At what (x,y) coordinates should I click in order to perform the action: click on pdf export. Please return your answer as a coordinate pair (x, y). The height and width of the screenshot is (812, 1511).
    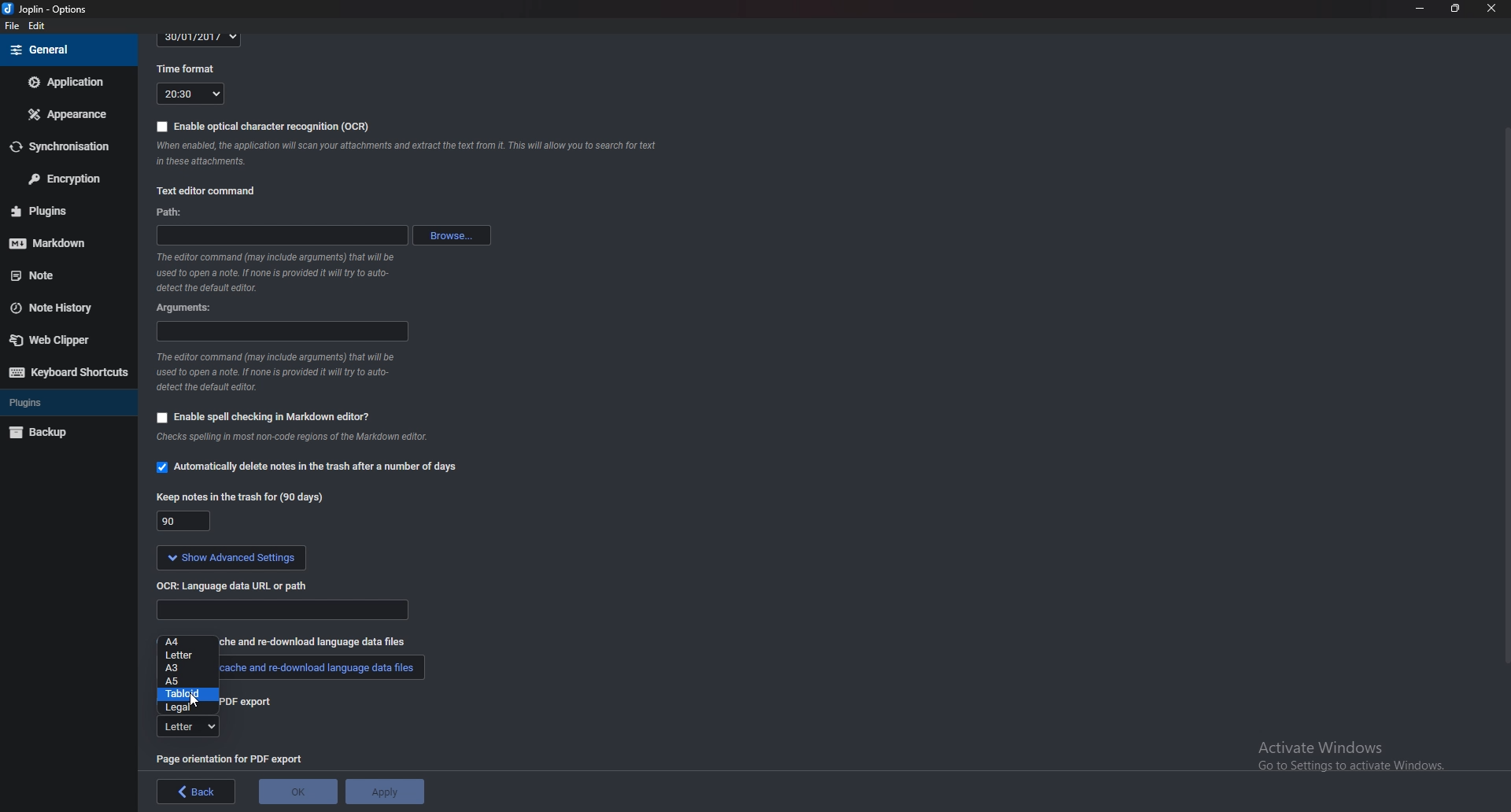
    Looking at the image, I should click on (247, 701).